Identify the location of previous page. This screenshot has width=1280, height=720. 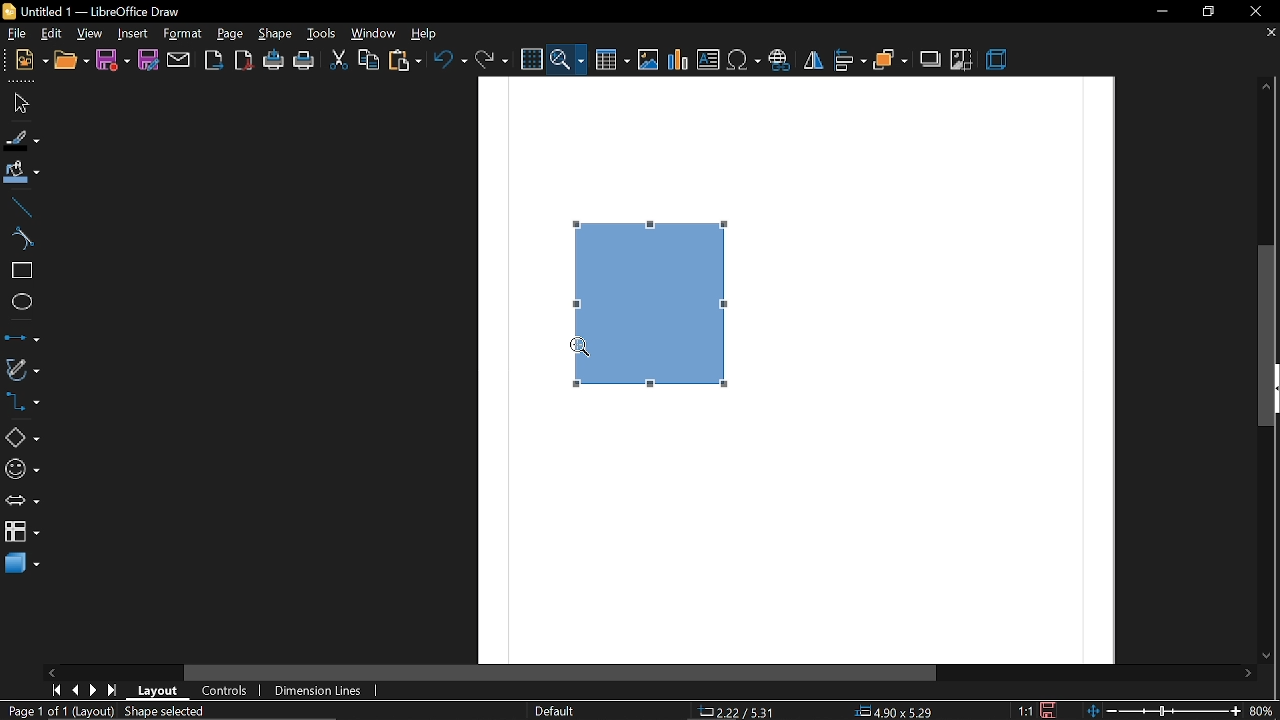
(76, 689).